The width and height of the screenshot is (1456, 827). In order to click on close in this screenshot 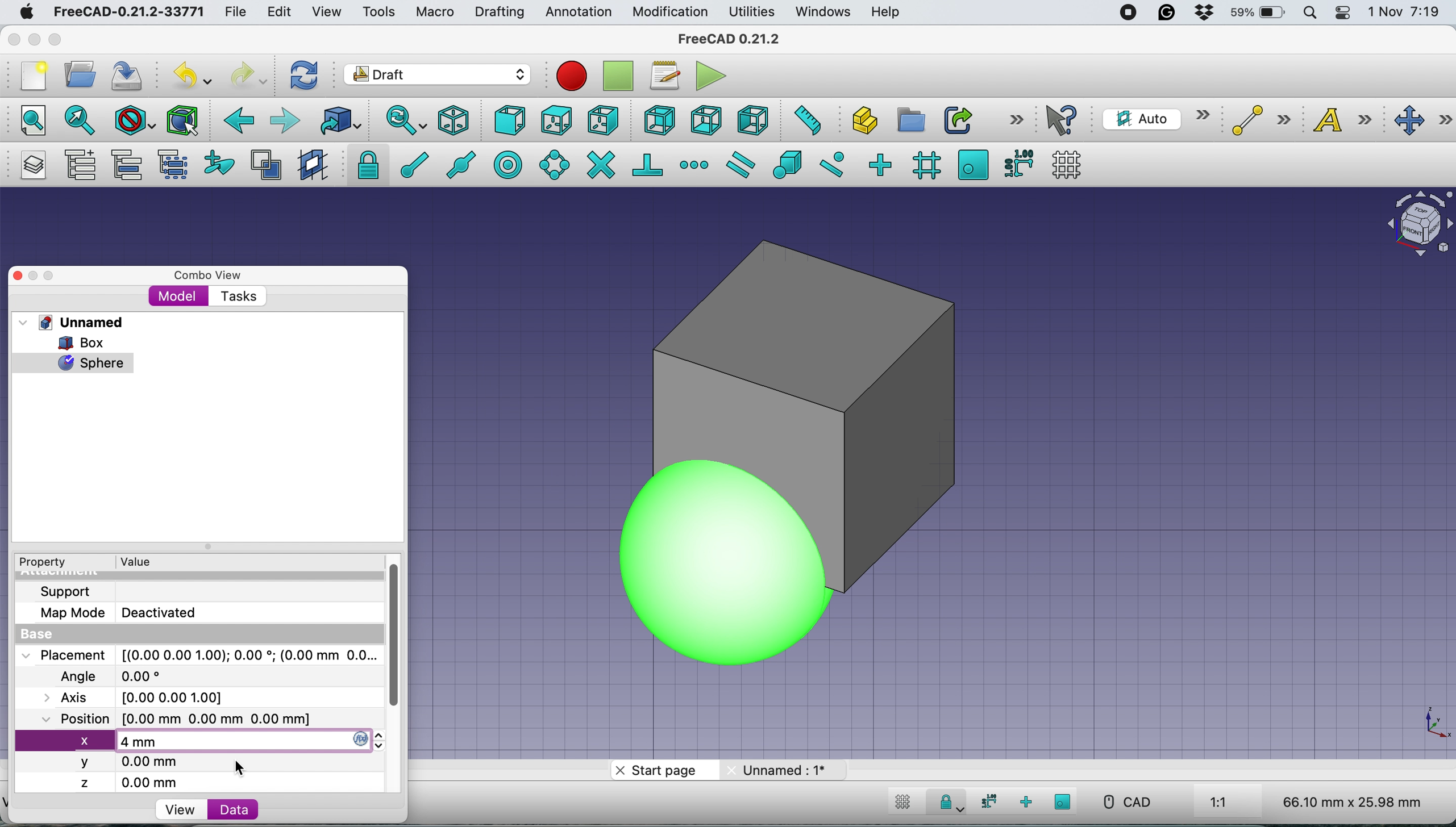, I will do `click(28, 275)`.